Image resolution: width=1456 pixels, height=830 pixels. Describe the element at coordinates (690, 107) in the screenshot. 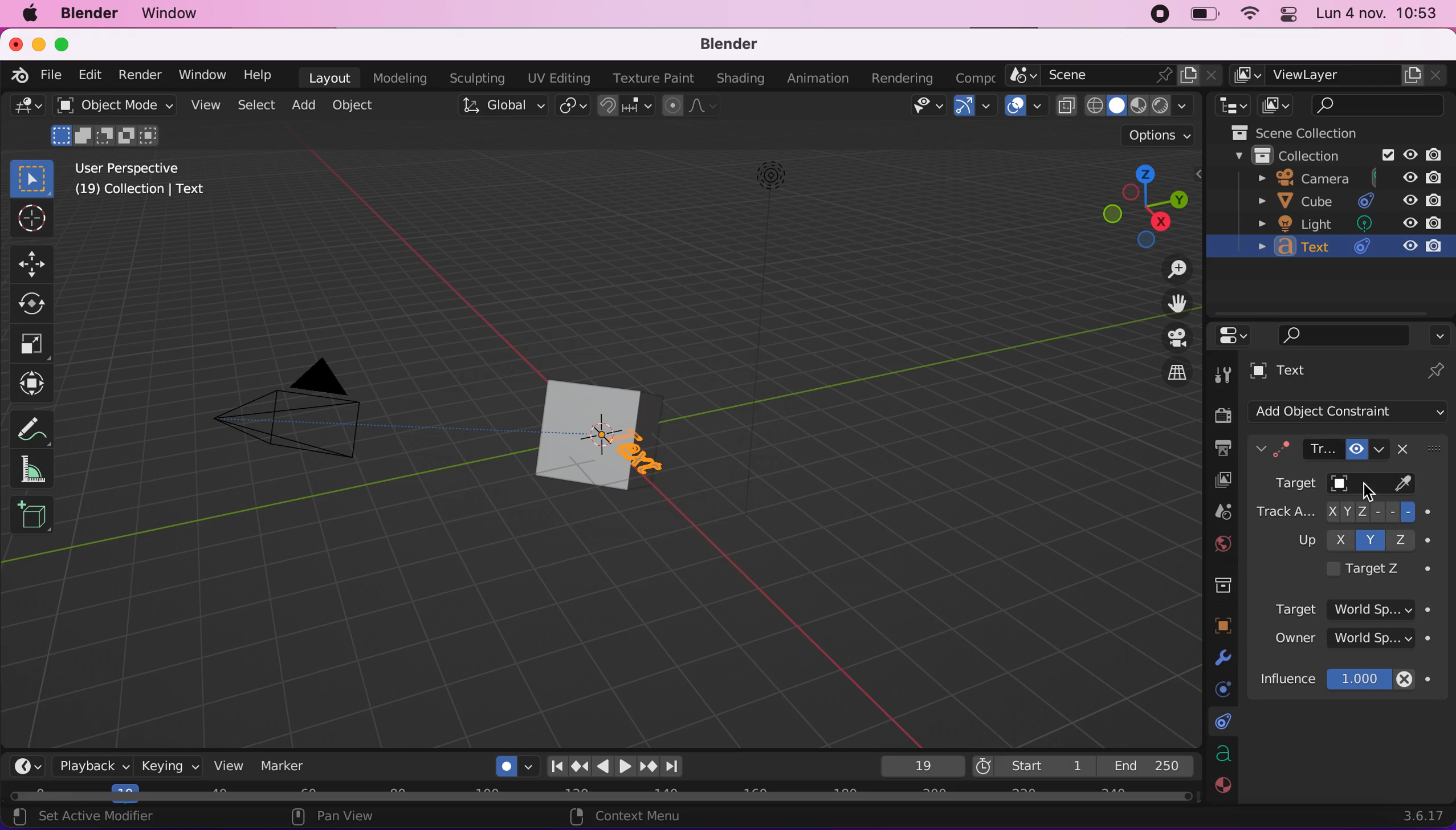

I see `proportional editing objects` at that location.